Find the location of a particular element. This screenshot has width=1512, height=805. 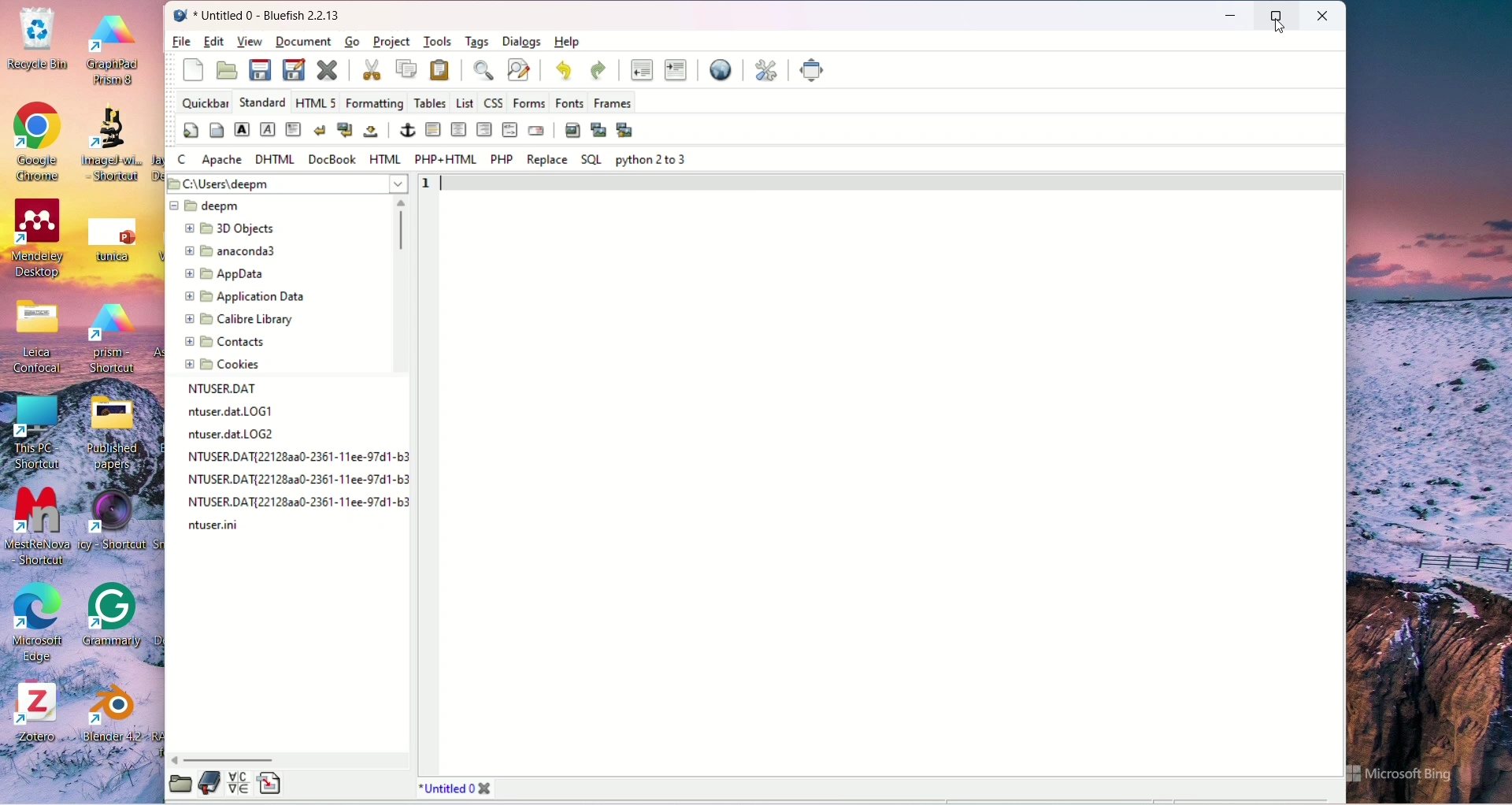

close current file is located at coordinates (328, 71).